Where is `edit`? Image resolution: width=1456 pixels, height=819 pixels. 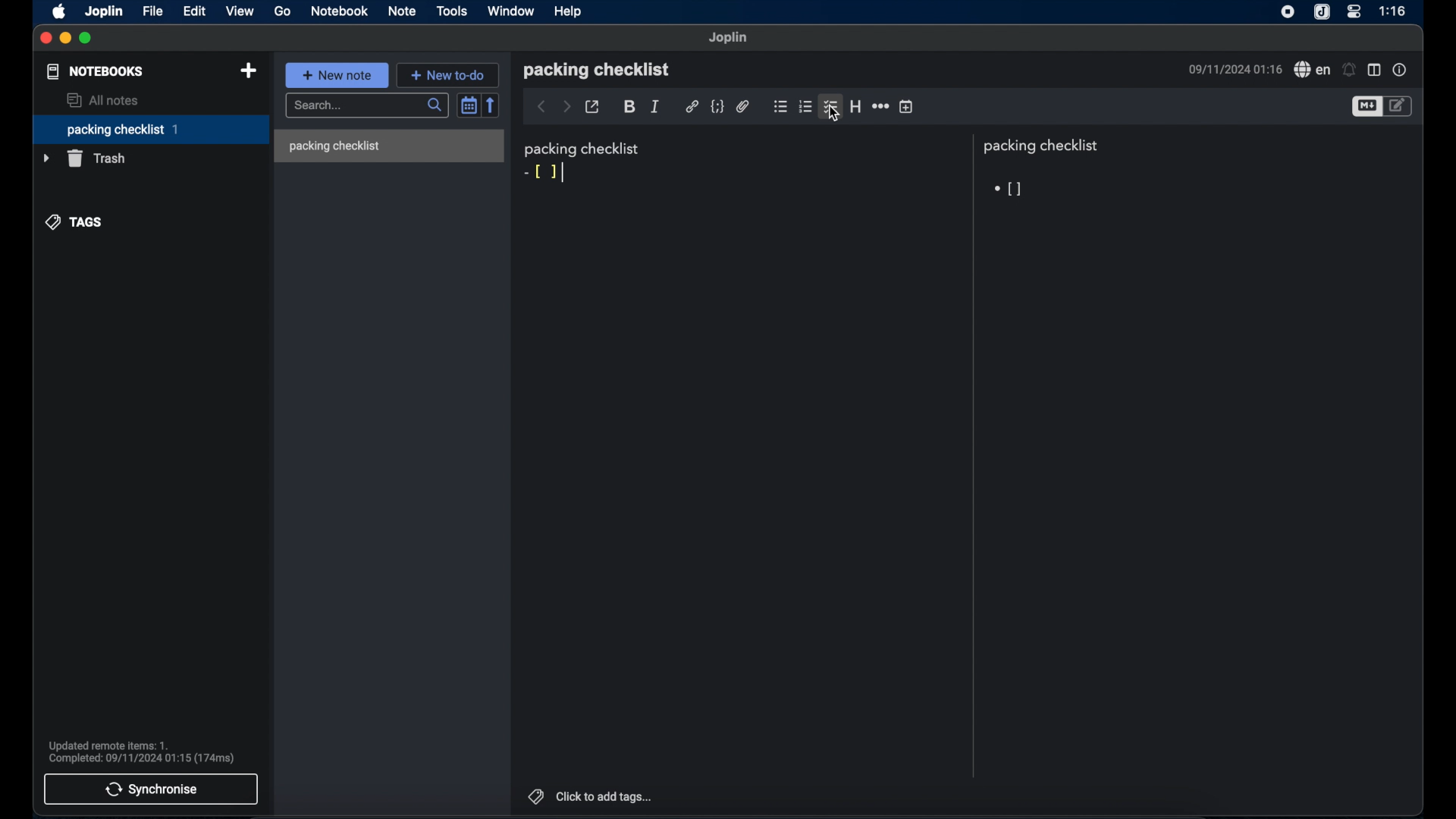
edit is located at coordinates (195, 11).